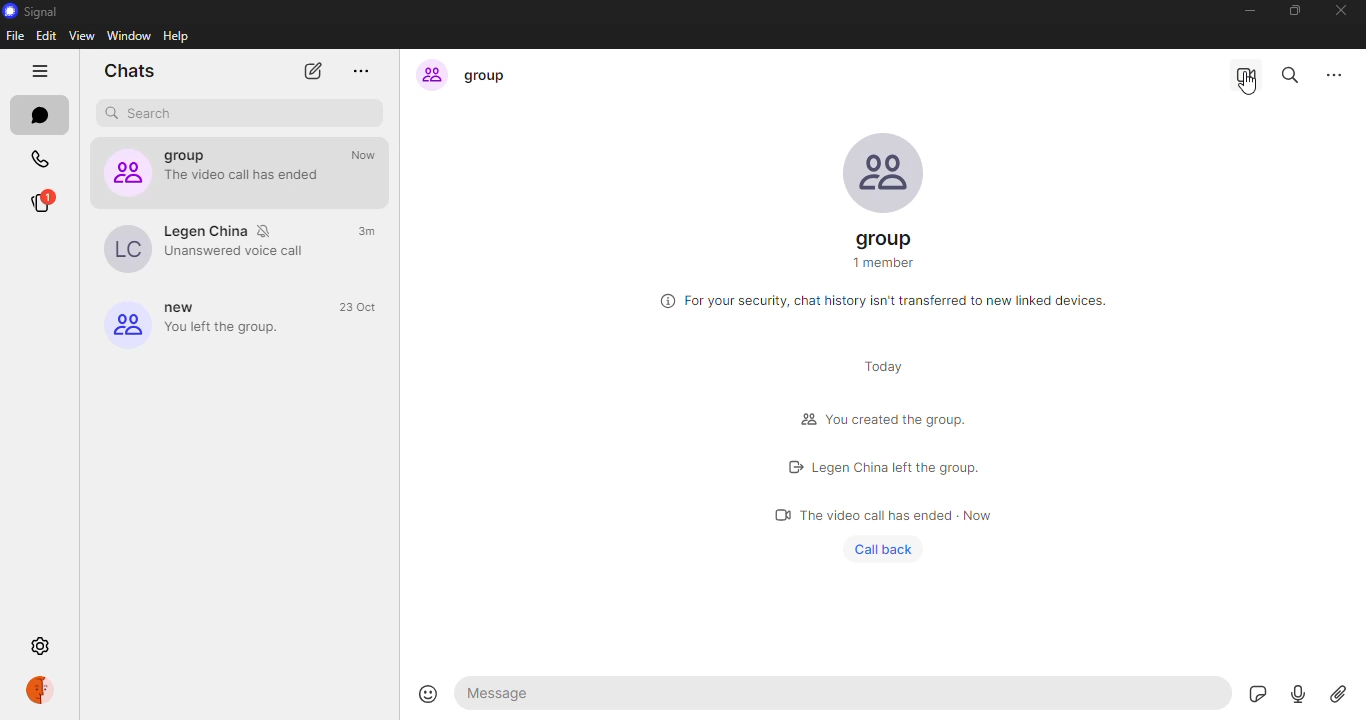 The image size is (1366, 720). Describe the element at coordinates (368, 155) in the screenshot. I see `time` at that location.